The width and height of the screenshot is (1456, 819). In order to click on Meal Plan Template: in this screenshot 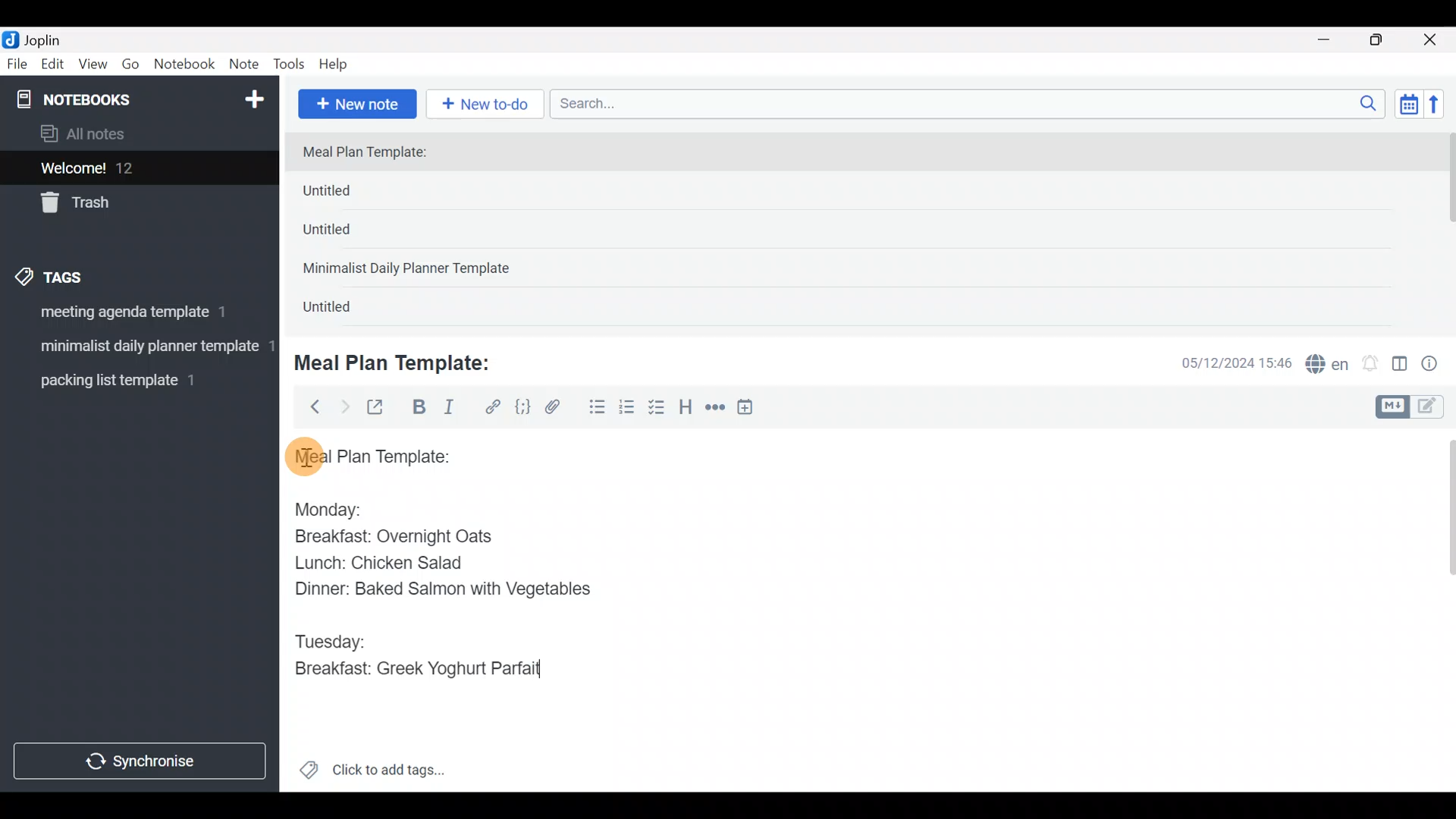, I will do `click(374, 153)`.